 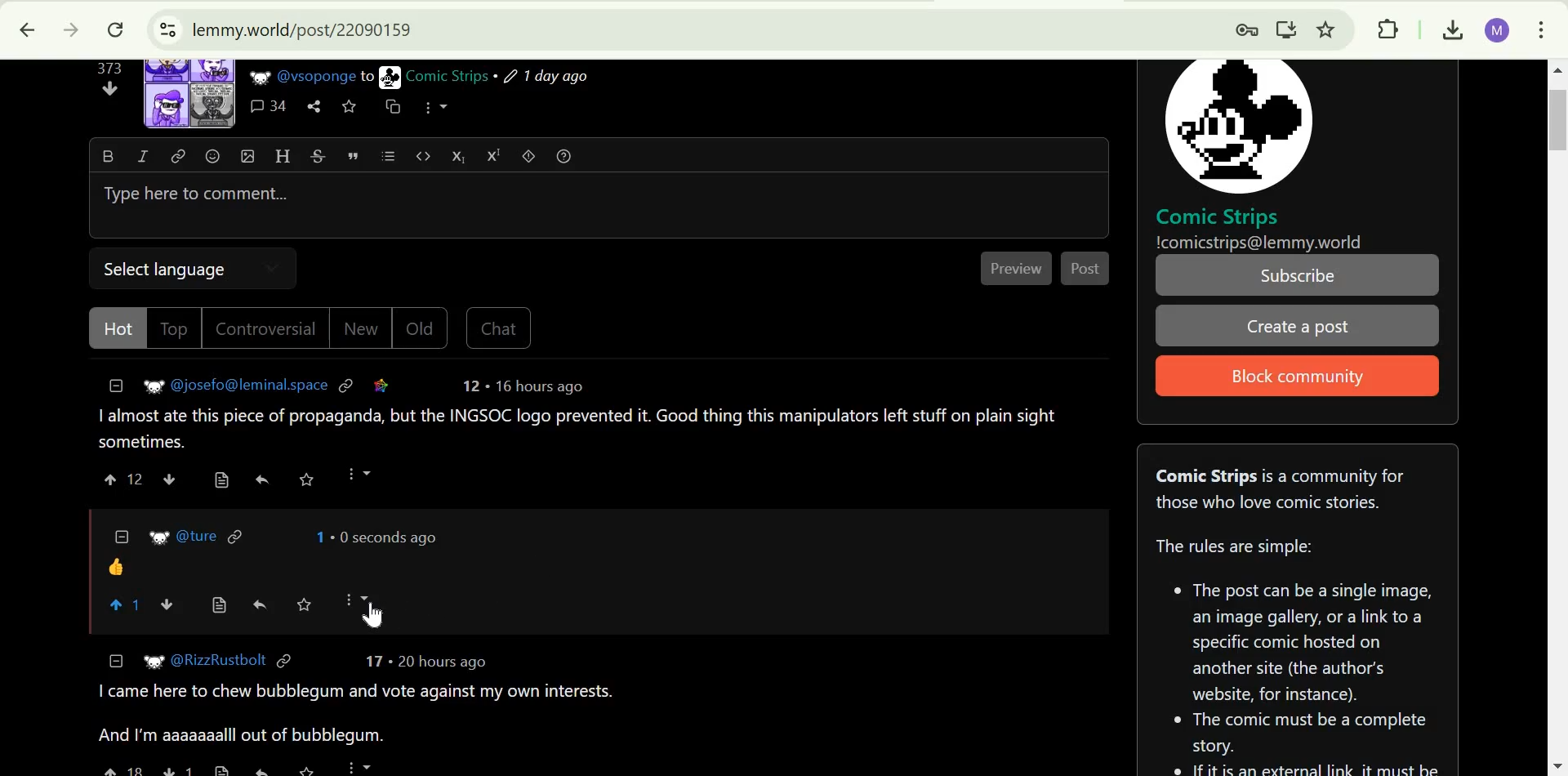 I want to click on subscript, so click(x=458, y=155).